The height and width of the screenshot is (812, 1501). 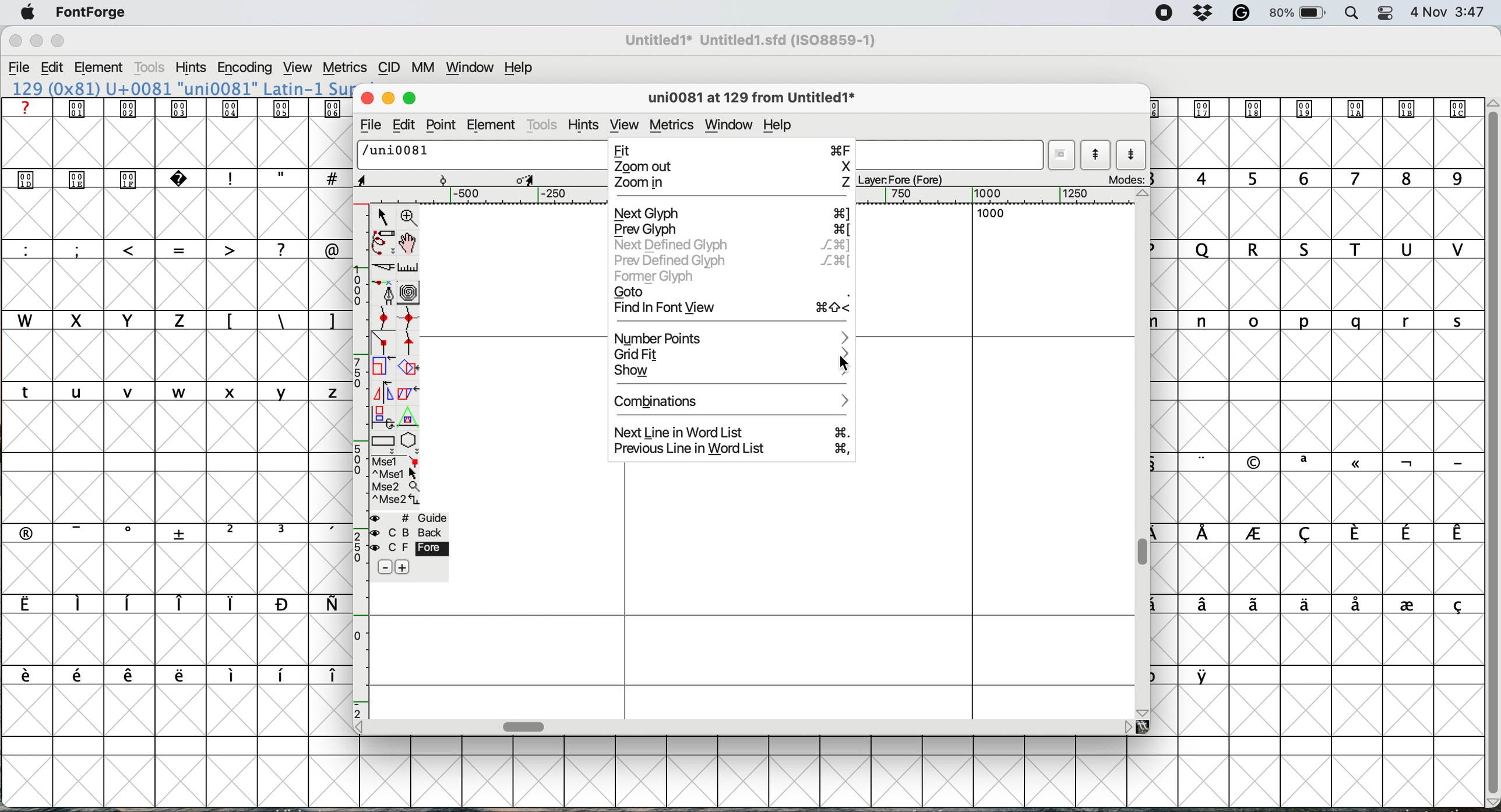 I want to click on skew the selection, so click(x=409, y=391).